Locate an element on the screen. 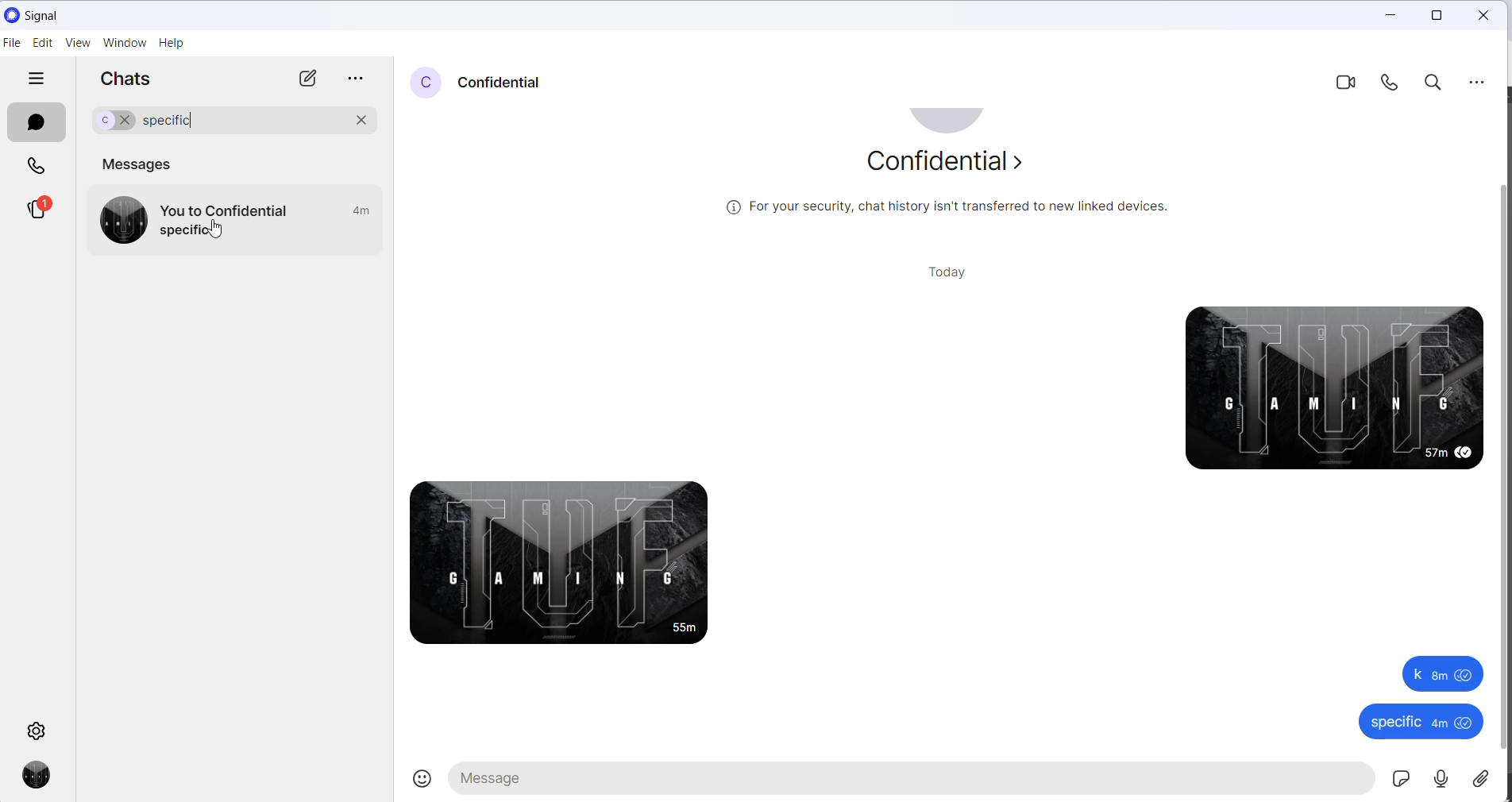 This screenshot has width=1512, height=802. search in chat is located at coordinates (1433, 82).